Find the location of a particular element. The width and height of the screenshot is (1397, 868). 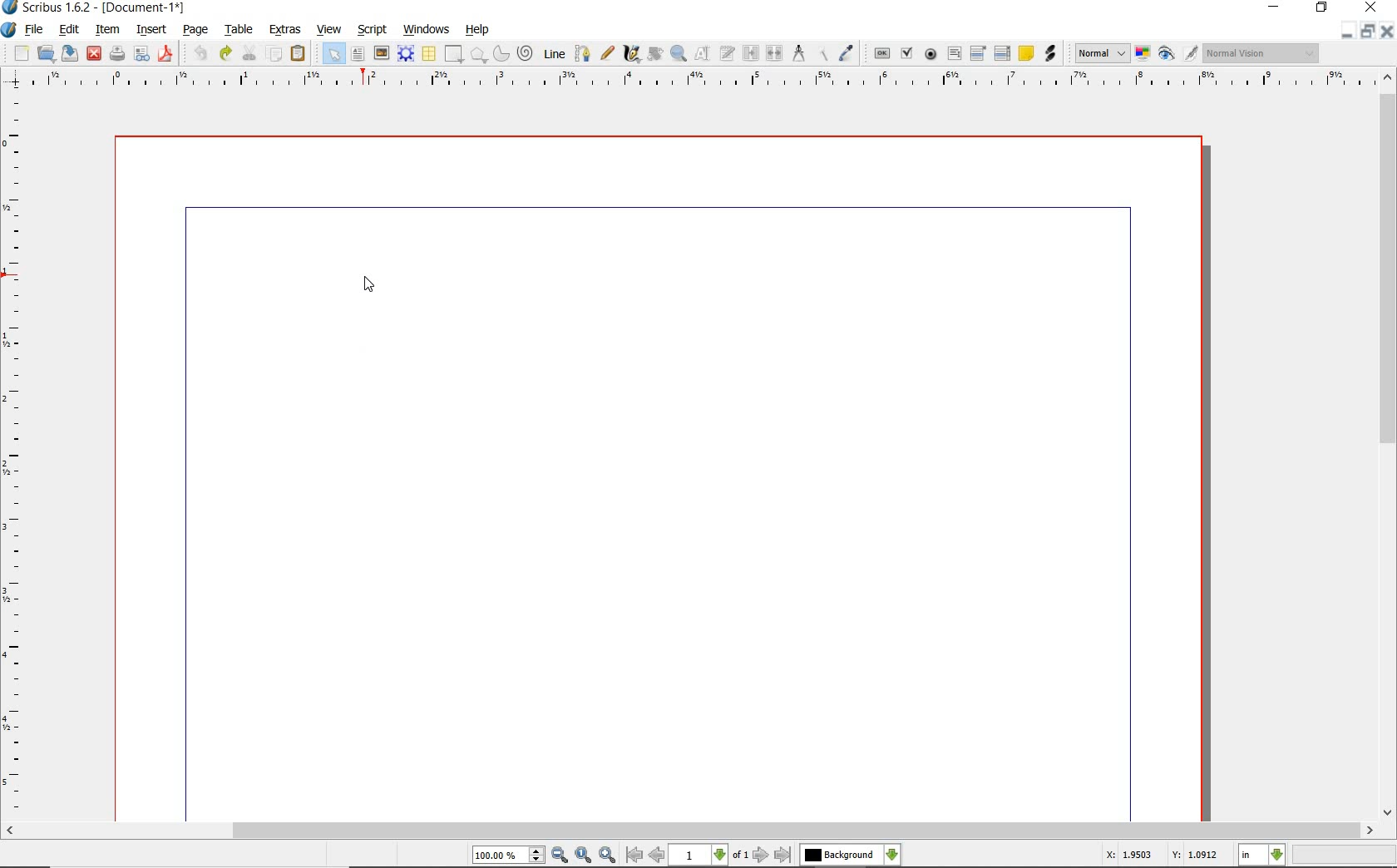

pdf push button is located at coordinates (882, 52).